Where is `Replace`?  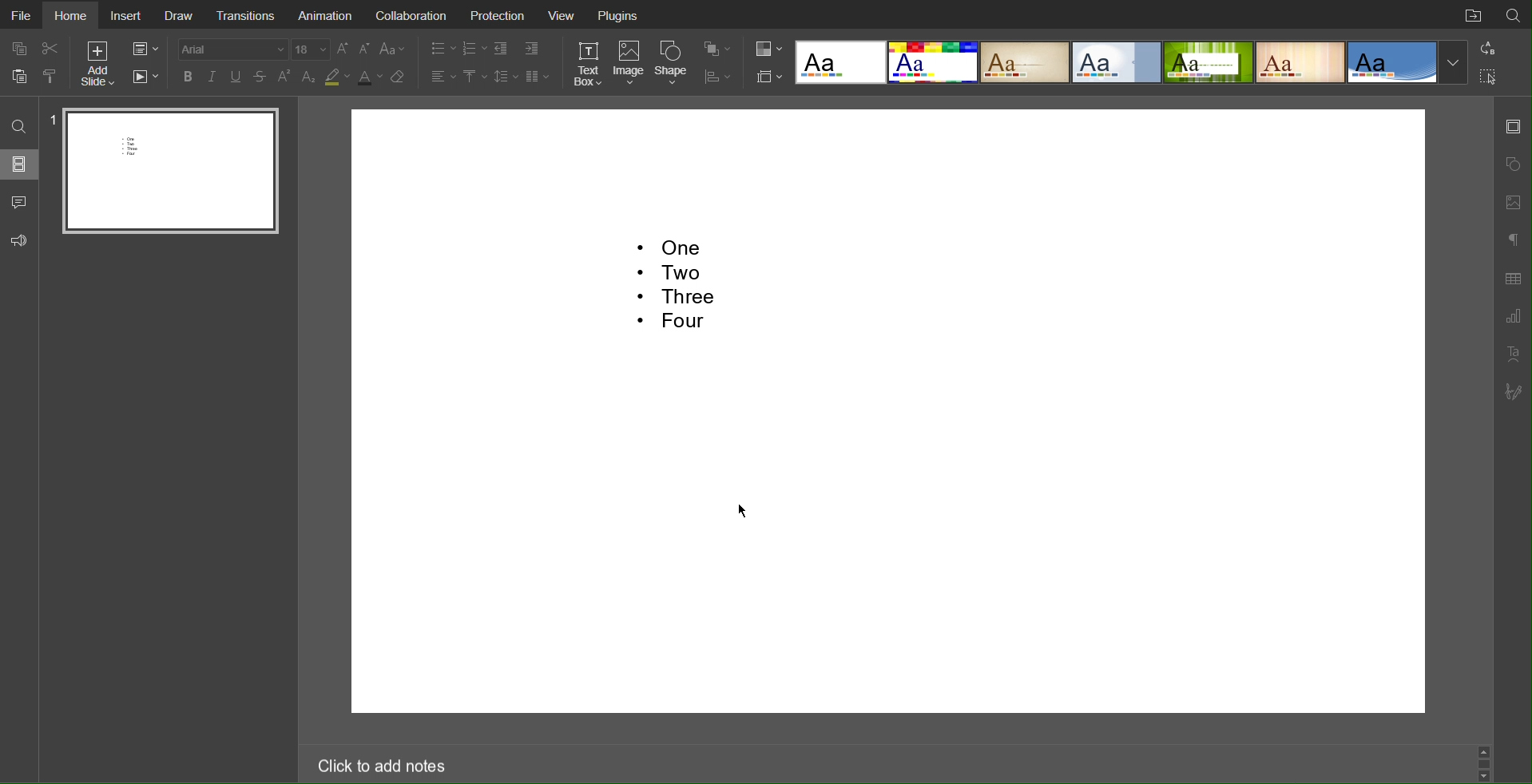 Replace is located at coordinates (1485, 49).